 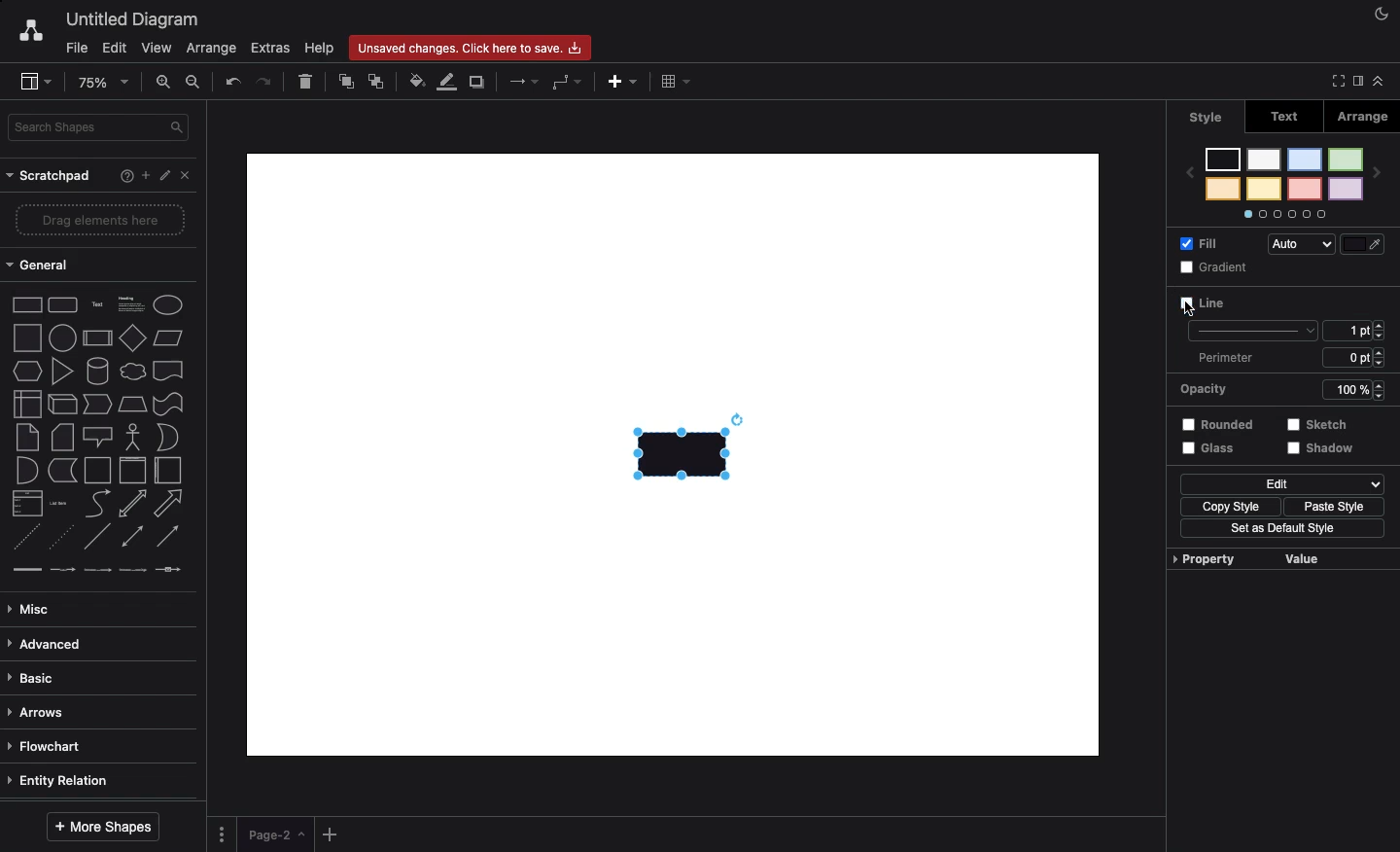 What do you see at coordinates (1209, 448) in the screenshot?
I see `Glass` at bounding box center [1209, 448].